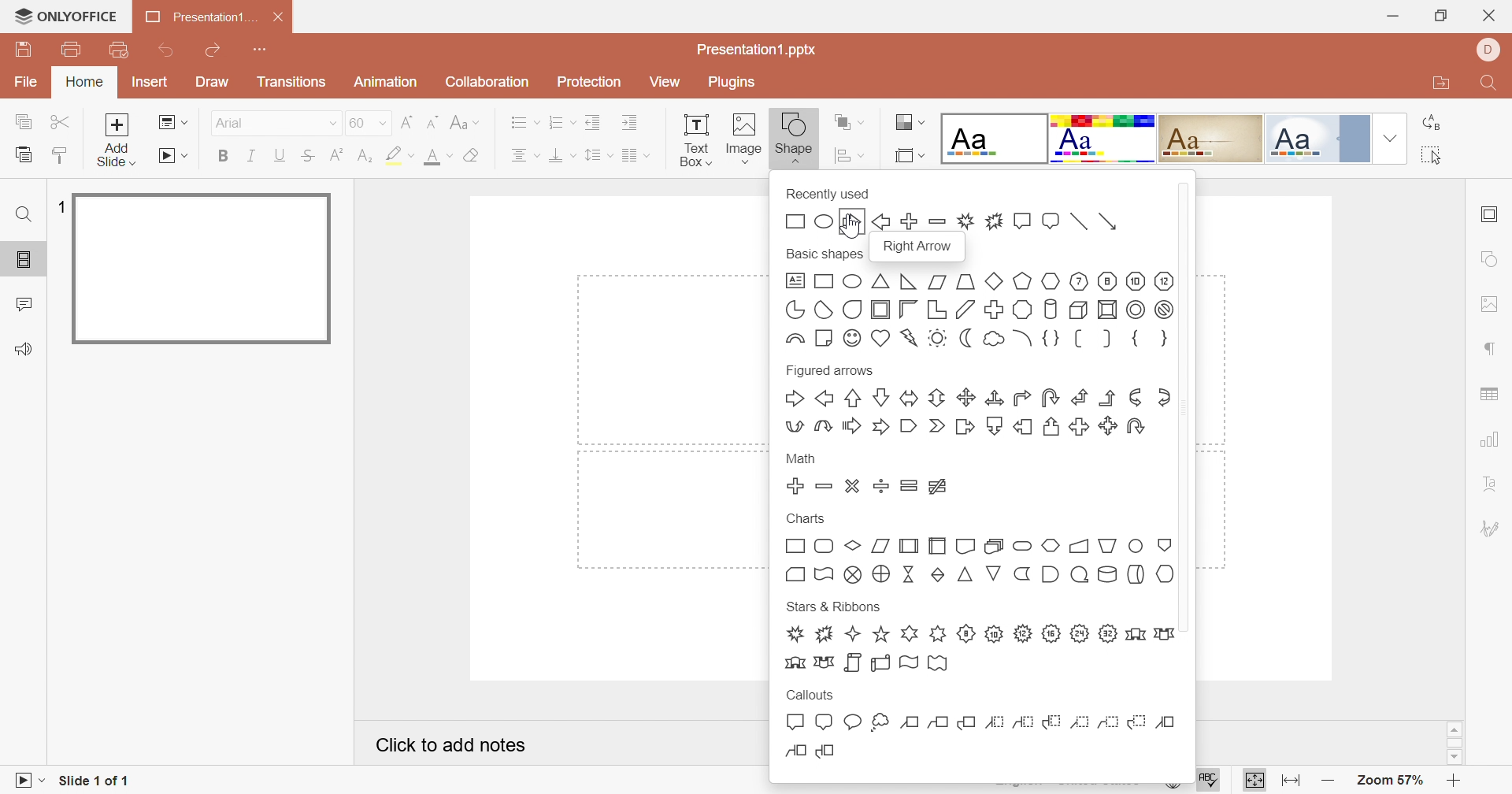 The width and height of the screenshot is (1512, 794). I want to click on Recently used icons, so click(954, 220).